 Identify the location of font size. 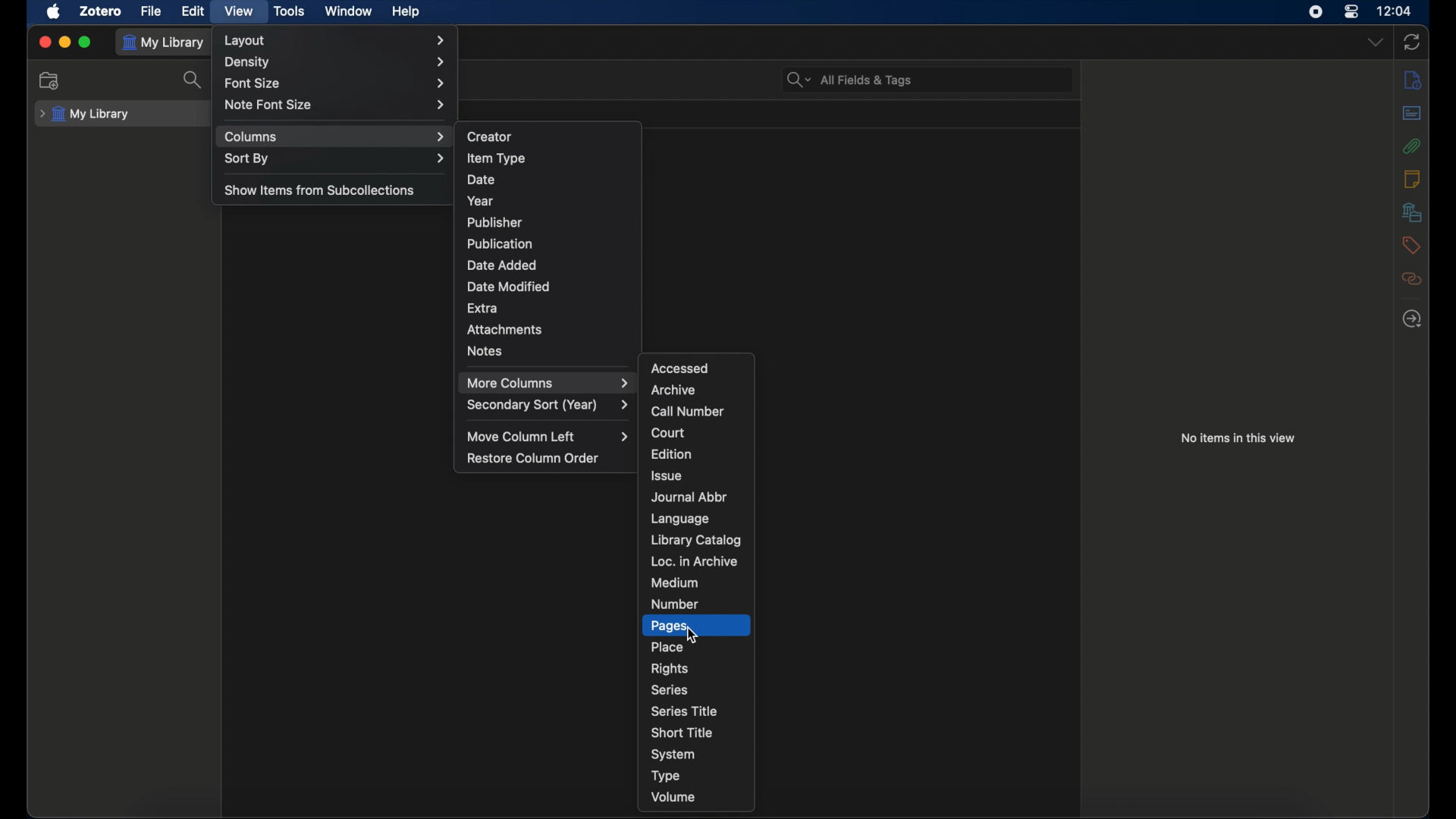
(336, 83).